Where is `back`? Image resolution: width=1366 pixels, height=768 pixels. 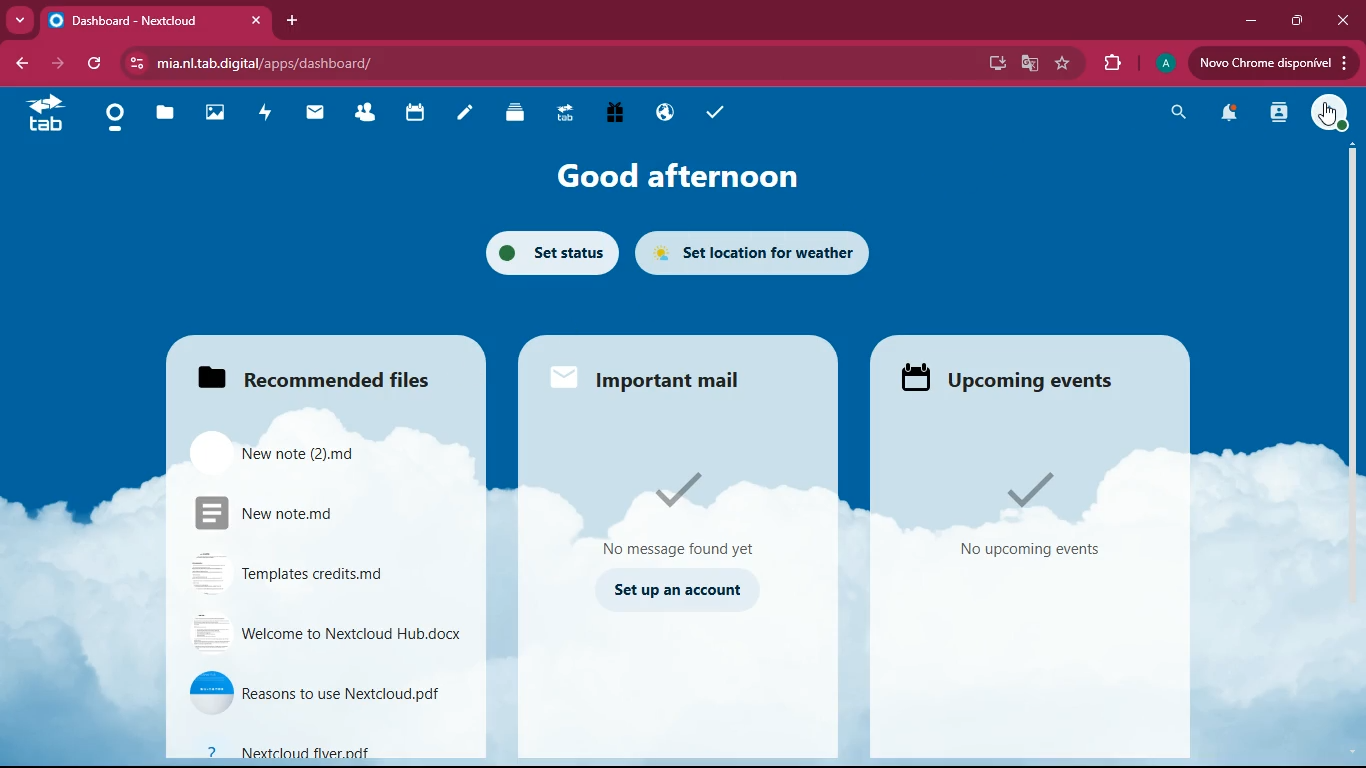 back is located at coordinates (20, 61).